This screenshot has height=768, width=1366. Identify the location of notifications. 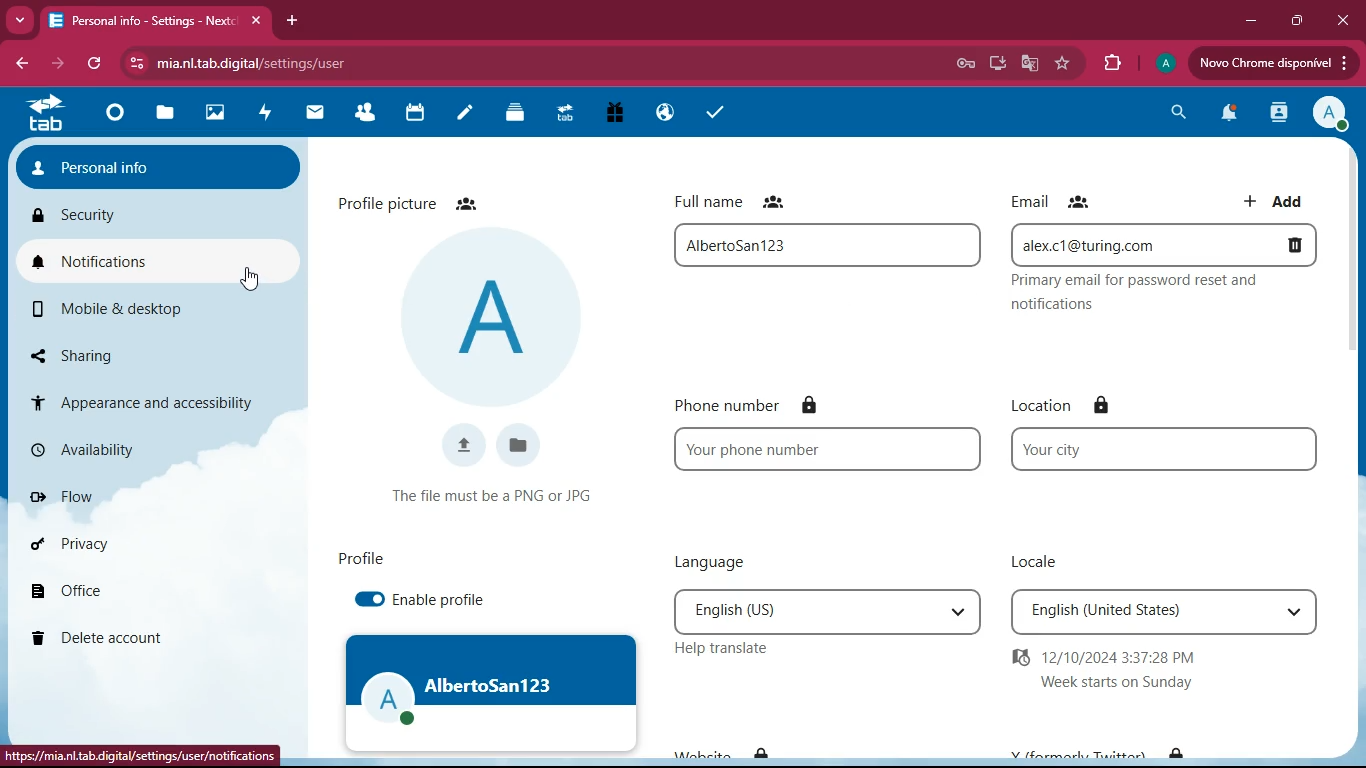
(165, 259).